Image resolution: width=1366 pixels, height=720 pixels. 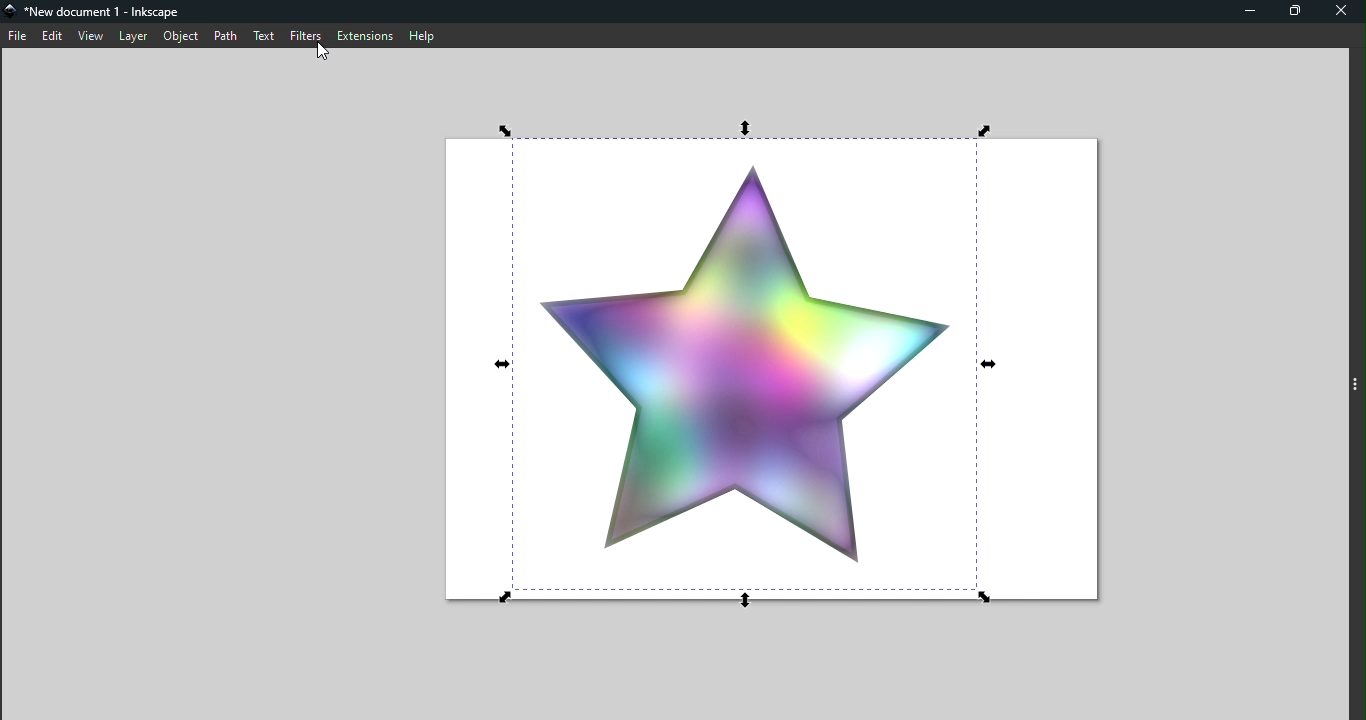 What do you see at coordinates (54, 35) in the screenshot?
I see `Edit` at bounding box center [54, 35].